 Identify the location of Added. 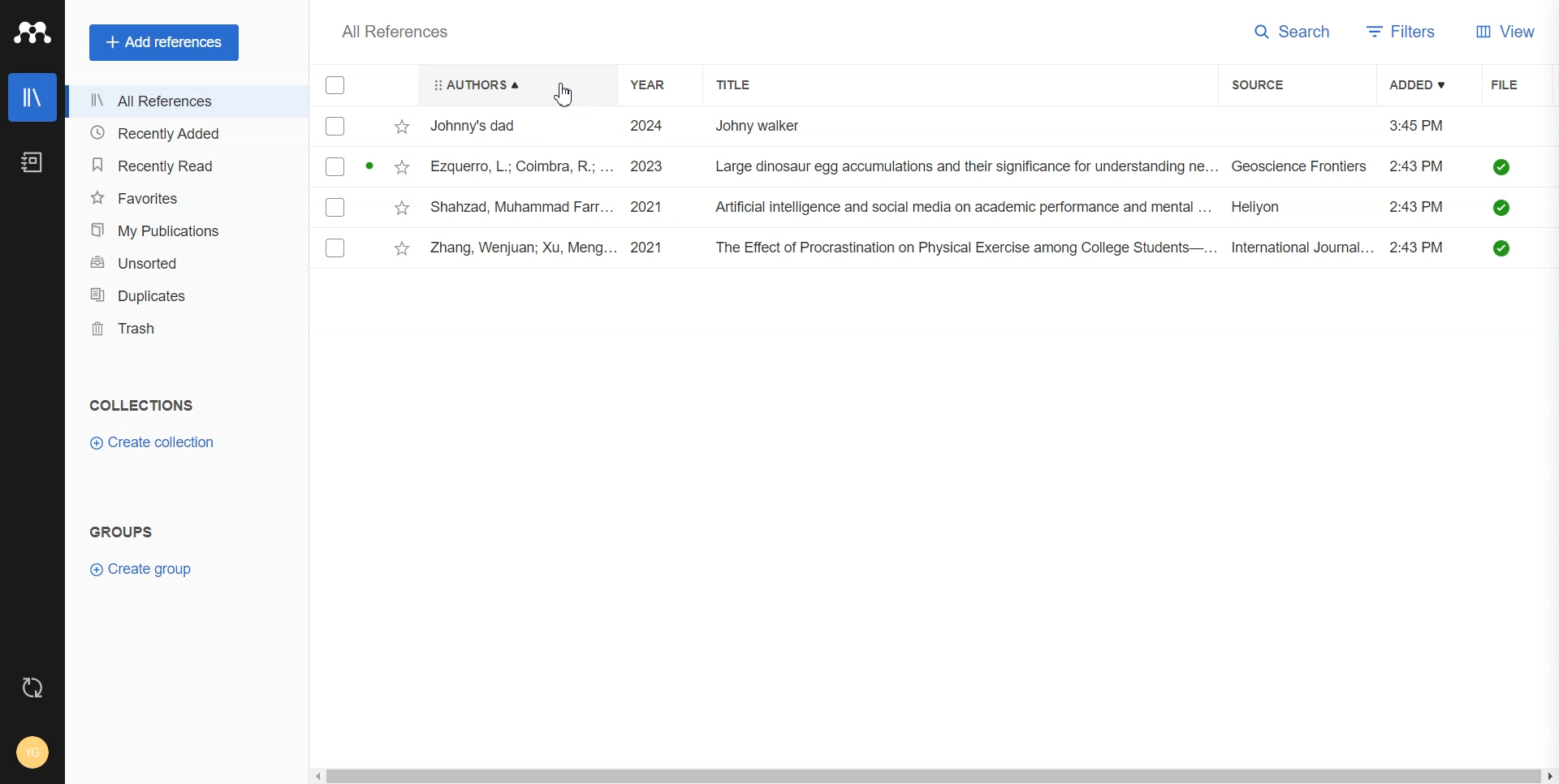
(1423, 84).